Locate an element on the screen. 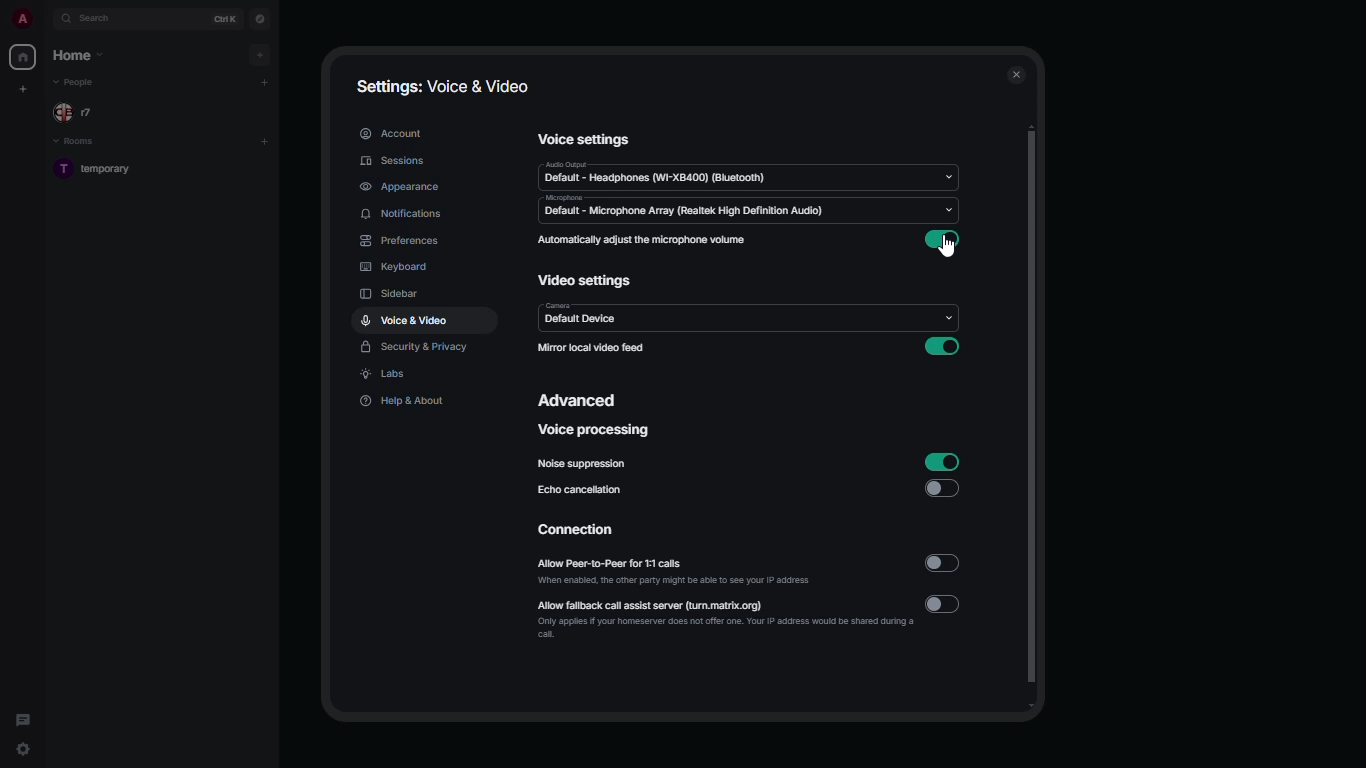  labs is located at coordinates (386, 375).